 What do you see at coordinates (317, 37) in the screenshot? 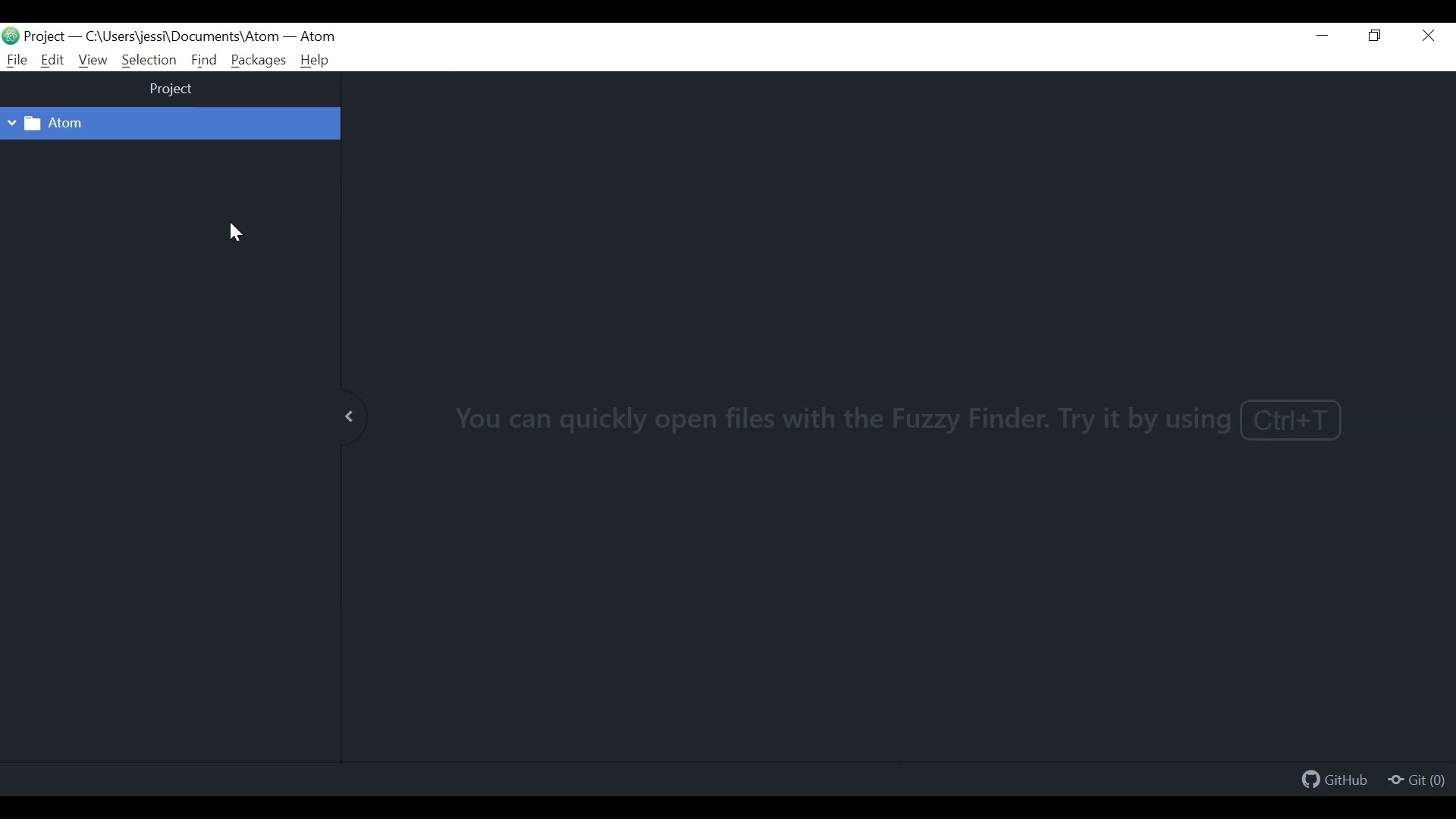
I see `Atom` at bounding box center [317, 37].